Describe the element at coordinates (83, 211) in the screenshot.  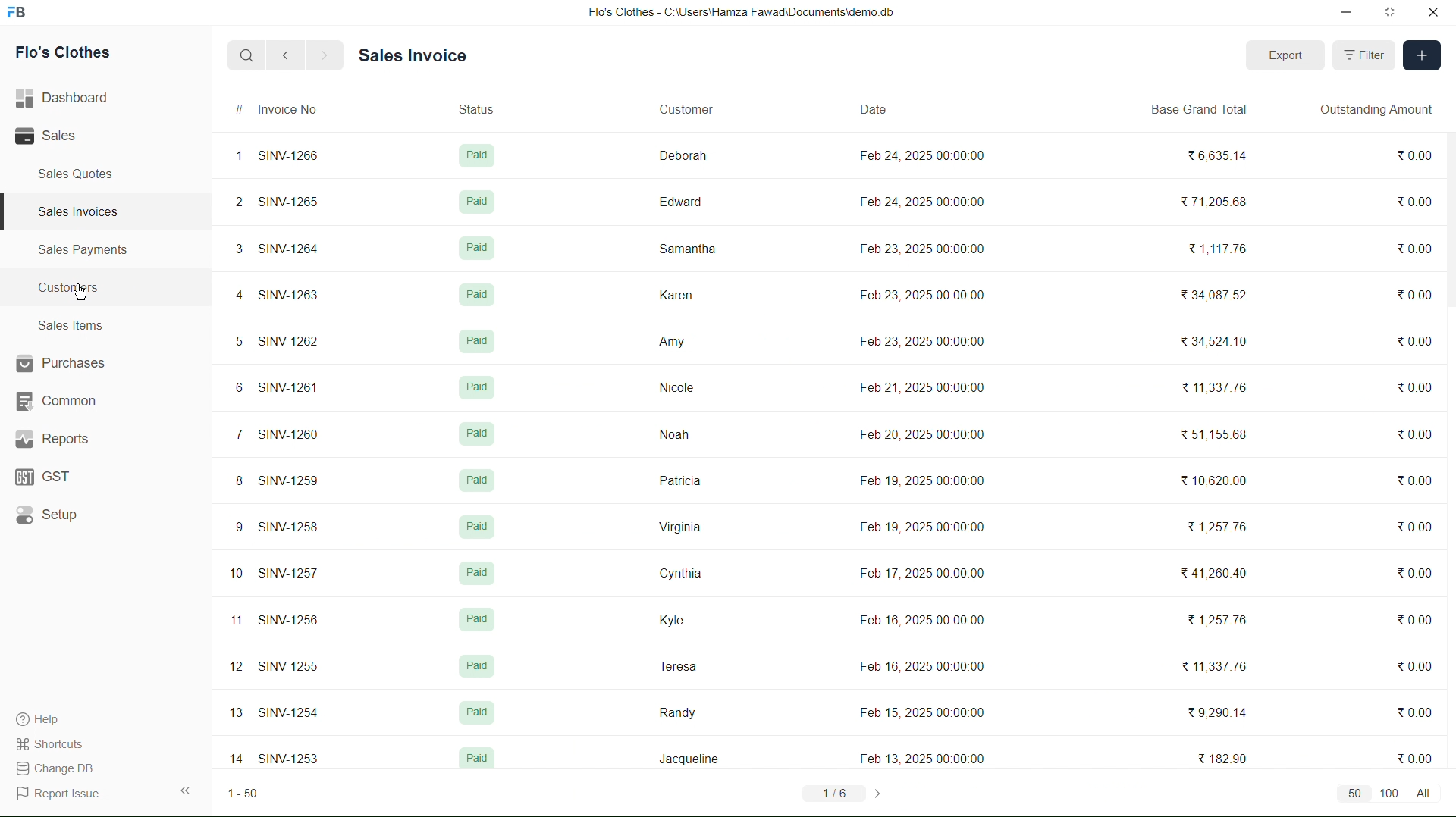
I see `Sales Invoices` at that location.